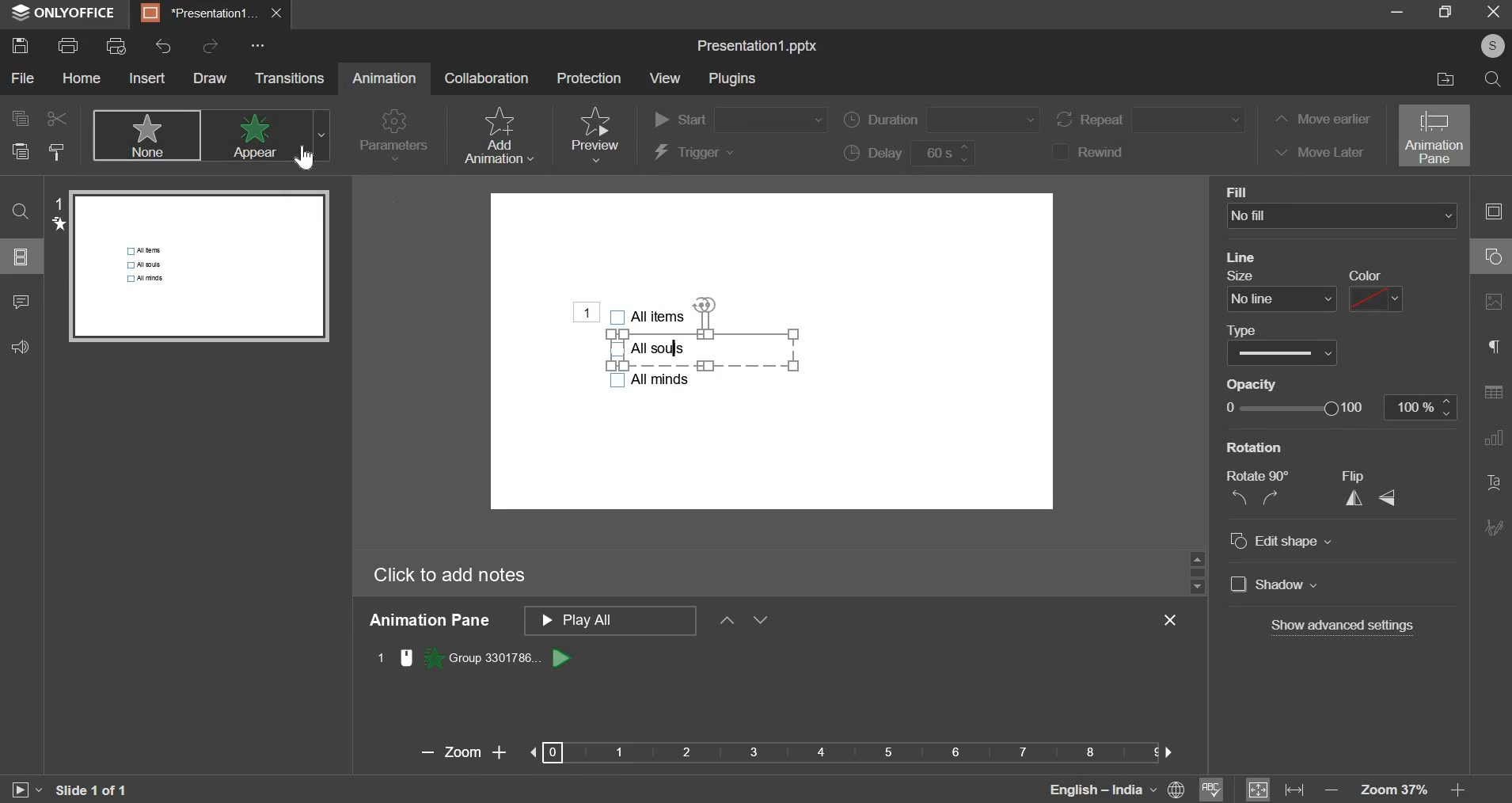  What do you see at coordinates (497, 135) in the screenshot?
I see `add animation` at bounding box center [497, 135].